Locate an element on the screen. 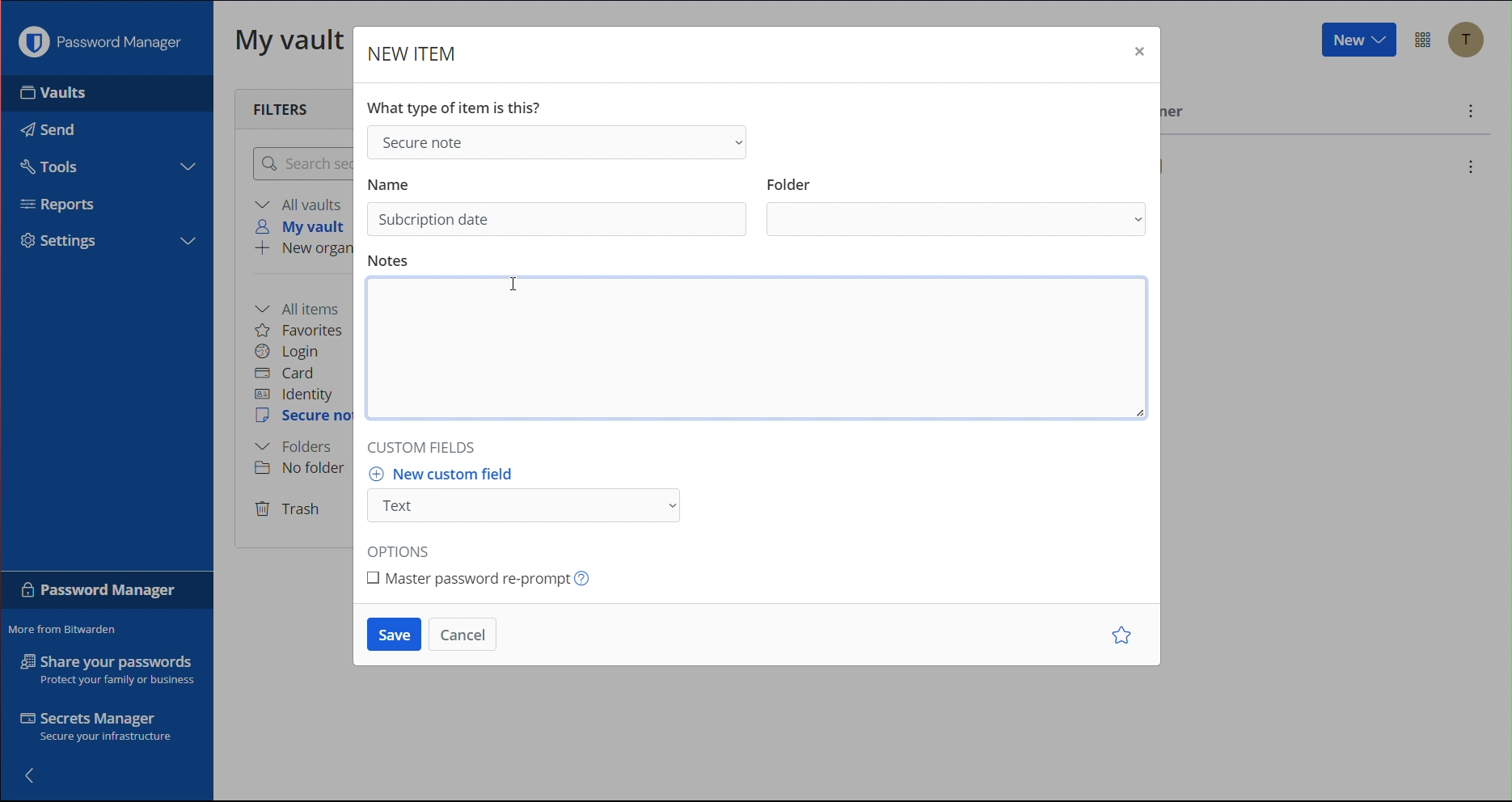  Subscription date is located at coordinates (435, 220).